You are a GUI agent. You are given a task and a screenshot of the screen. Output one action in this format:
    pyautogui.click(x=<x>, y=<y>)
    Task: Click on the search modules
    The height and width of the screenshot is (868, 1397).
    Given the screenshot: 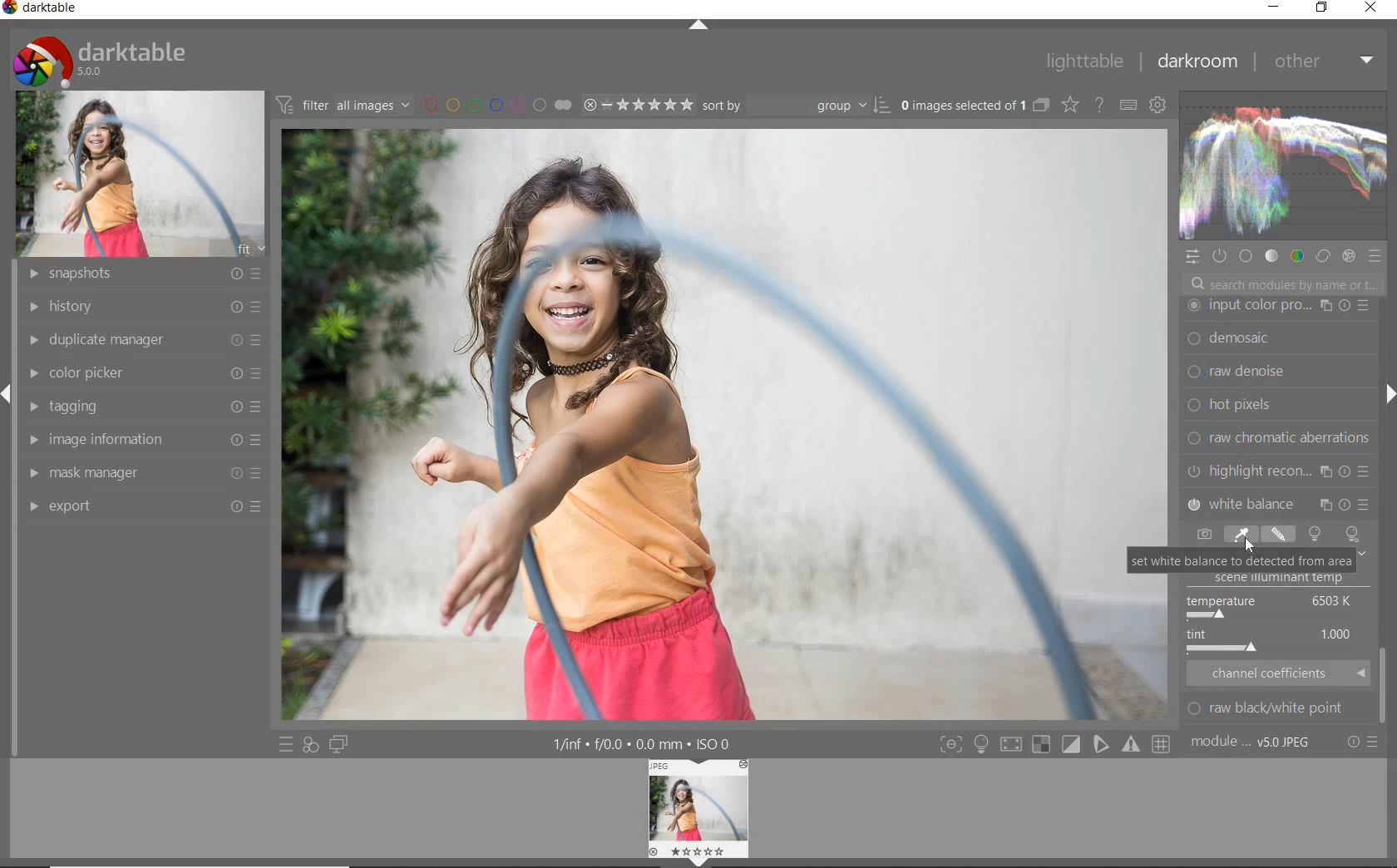 What is the action you would take?
    pyautogui.click(x=1281, y=286)
    